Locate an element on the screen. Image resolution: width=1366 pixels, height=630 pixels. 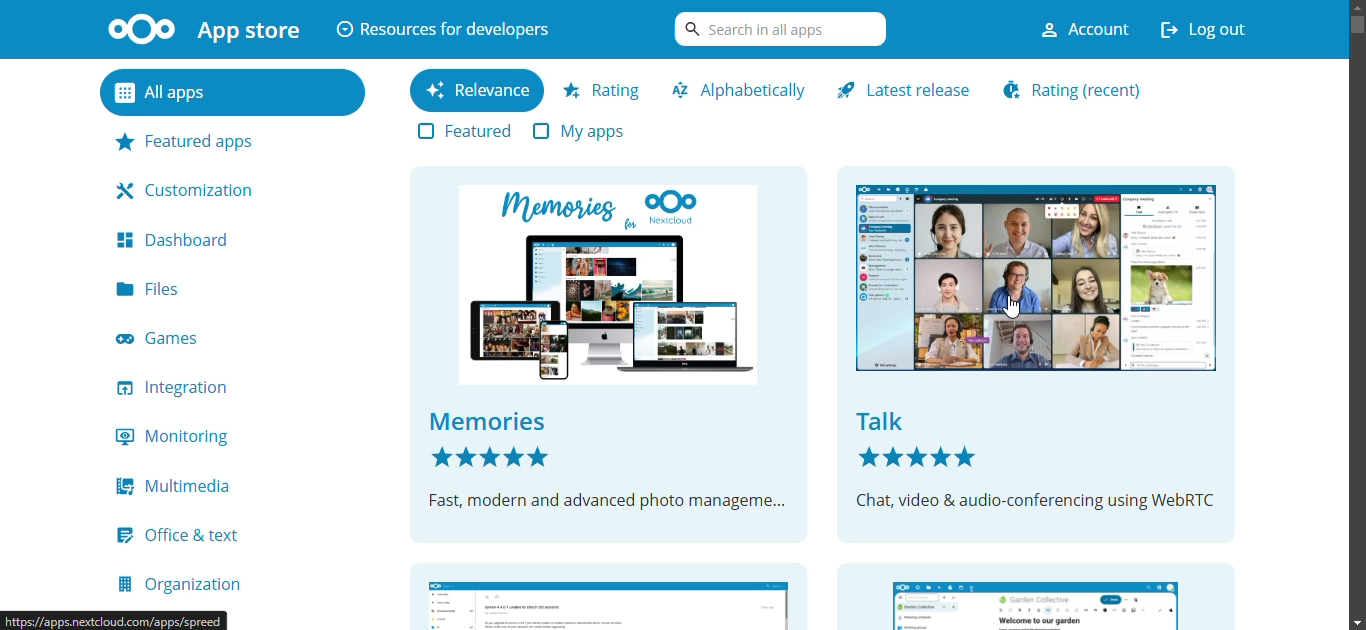
app interface is located at coordinates (607, 589).